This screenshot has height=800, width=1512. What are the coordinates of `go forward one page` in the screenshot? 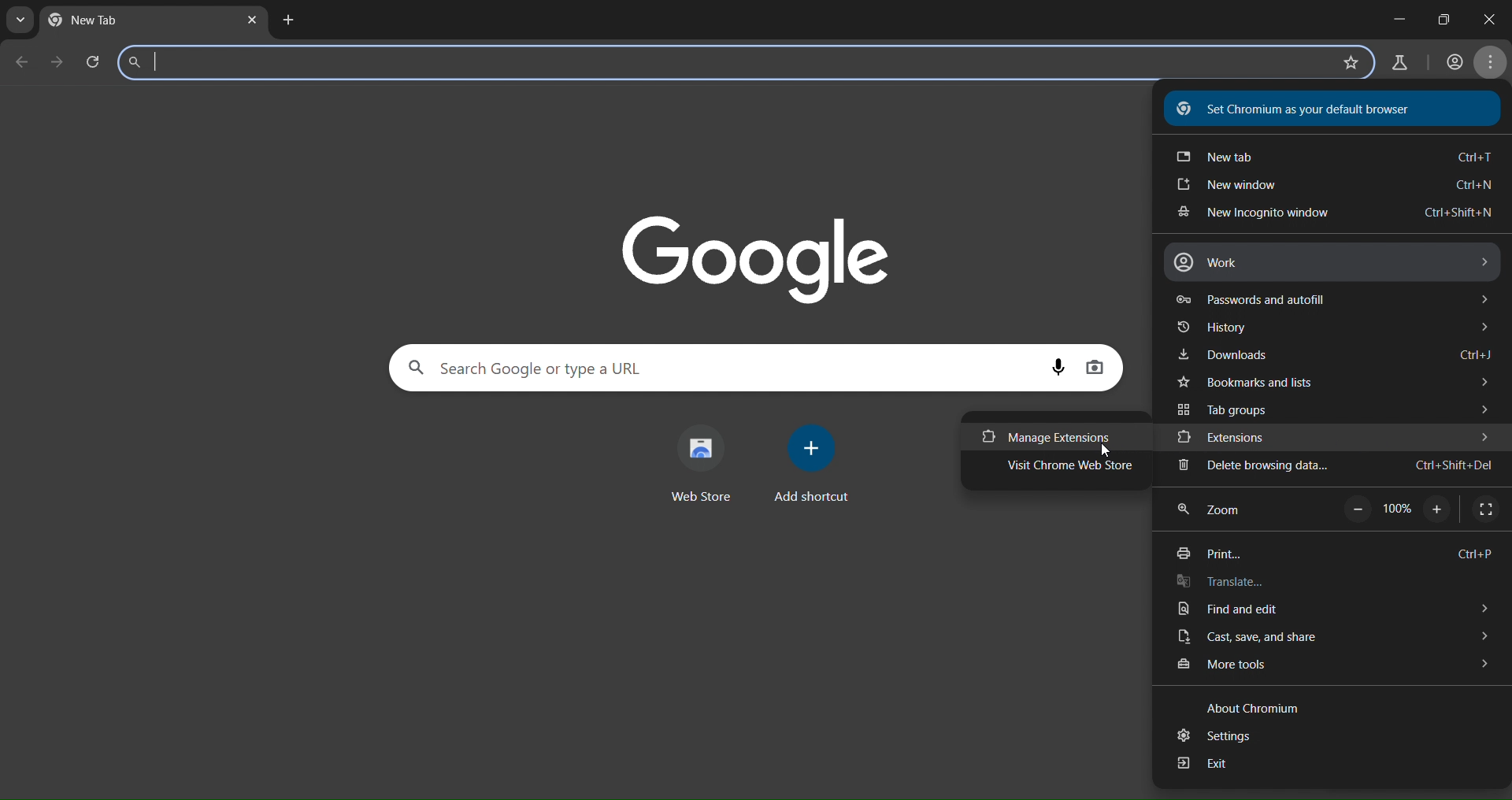 It's located at (60, 64).